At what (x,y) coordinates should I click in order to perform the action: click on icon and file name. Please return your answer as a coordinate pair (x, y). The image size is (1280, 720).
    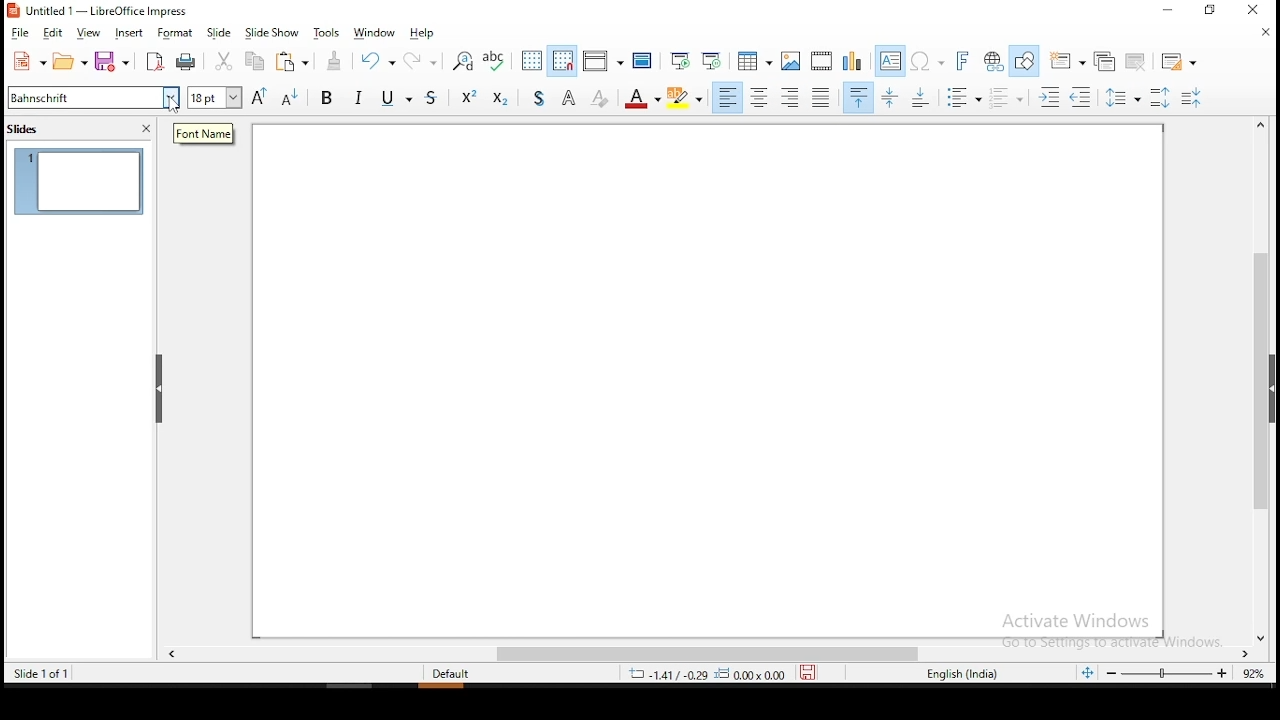
    Looking at the image, I should click on (103, 12).